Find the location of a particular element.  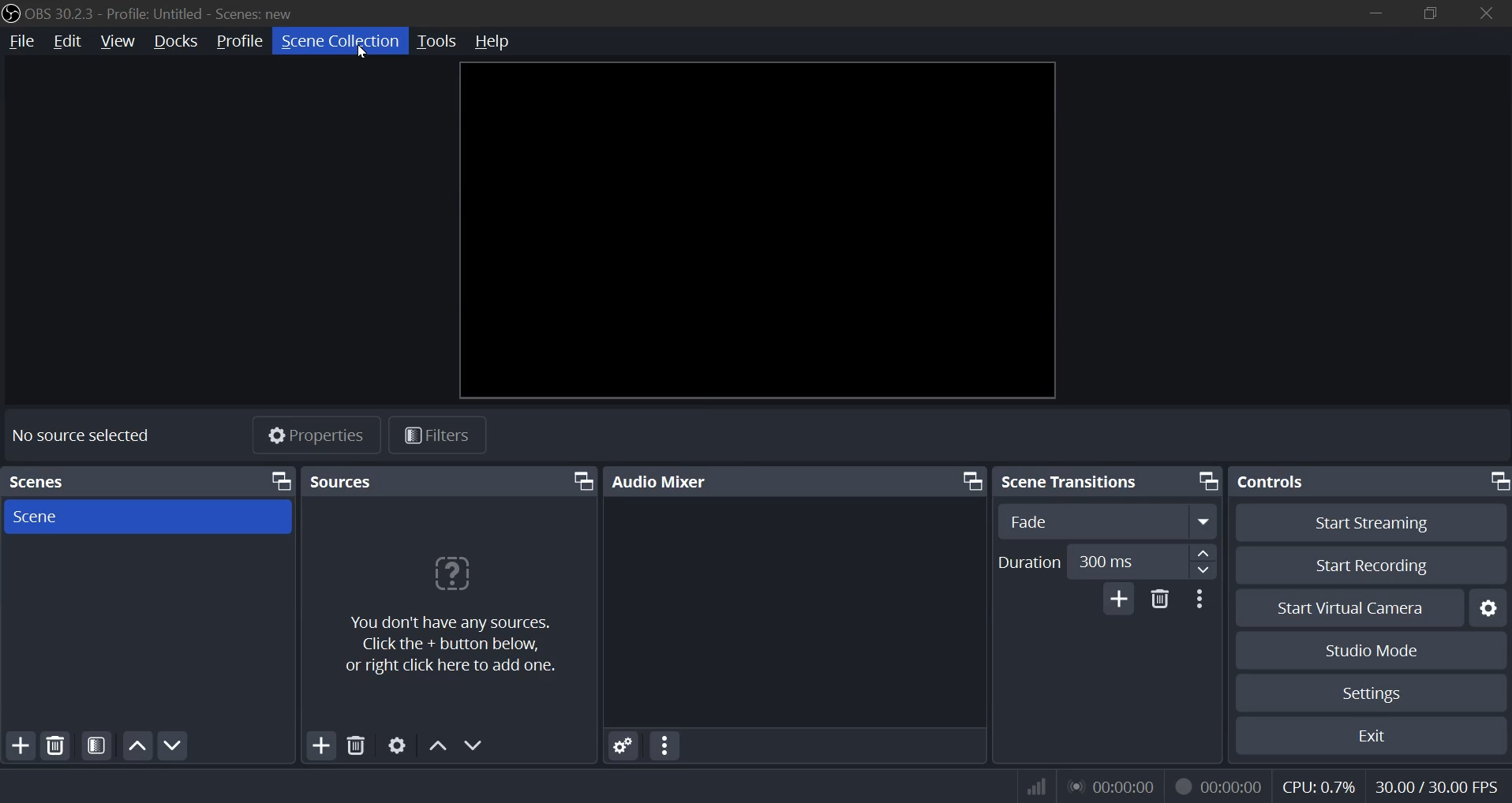

docks is located at coordinates (175, 43).